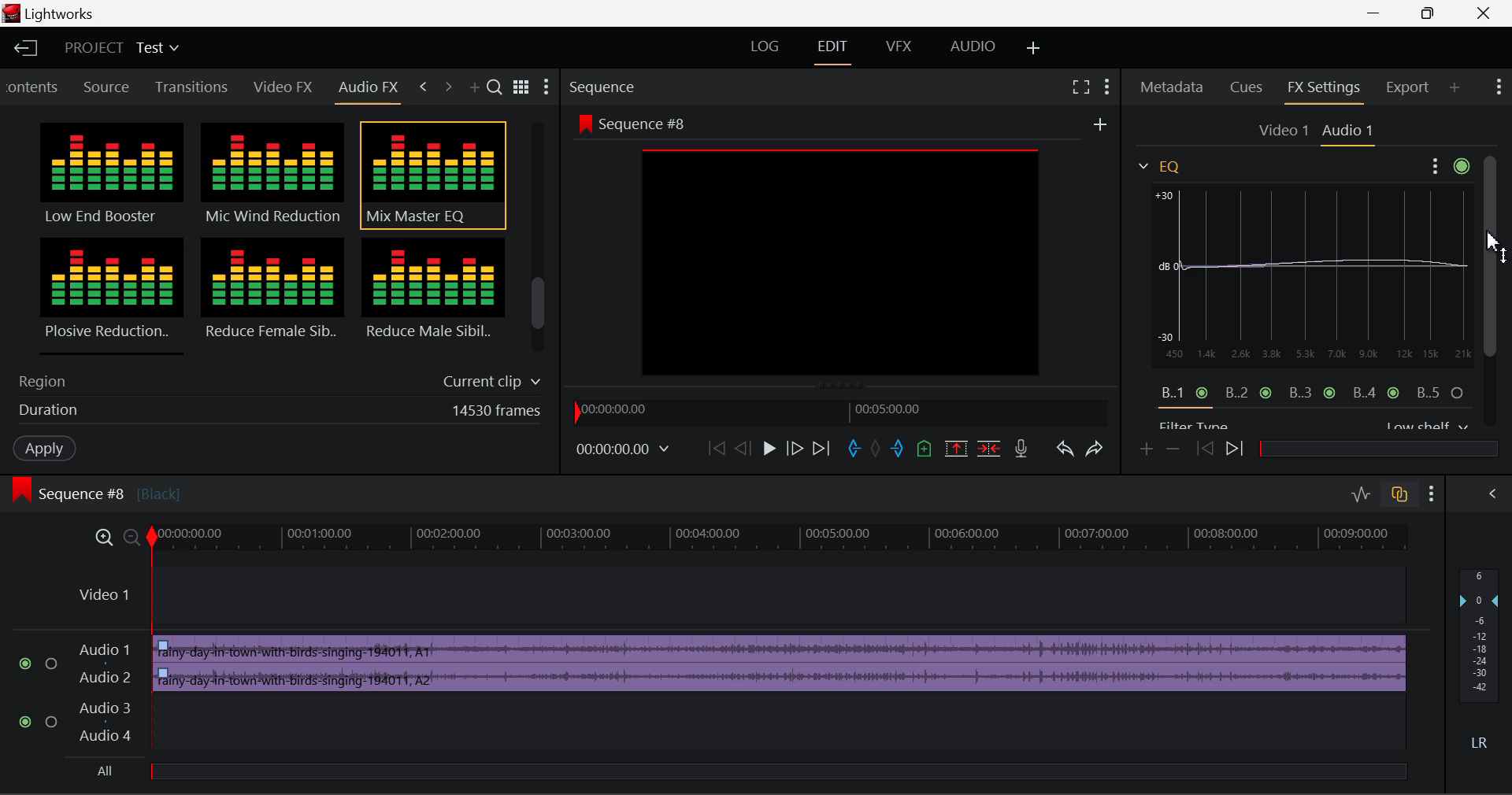 The width and height of the screenshot is (1512, 795). I want to click on Video 1, so click(1284, 131).